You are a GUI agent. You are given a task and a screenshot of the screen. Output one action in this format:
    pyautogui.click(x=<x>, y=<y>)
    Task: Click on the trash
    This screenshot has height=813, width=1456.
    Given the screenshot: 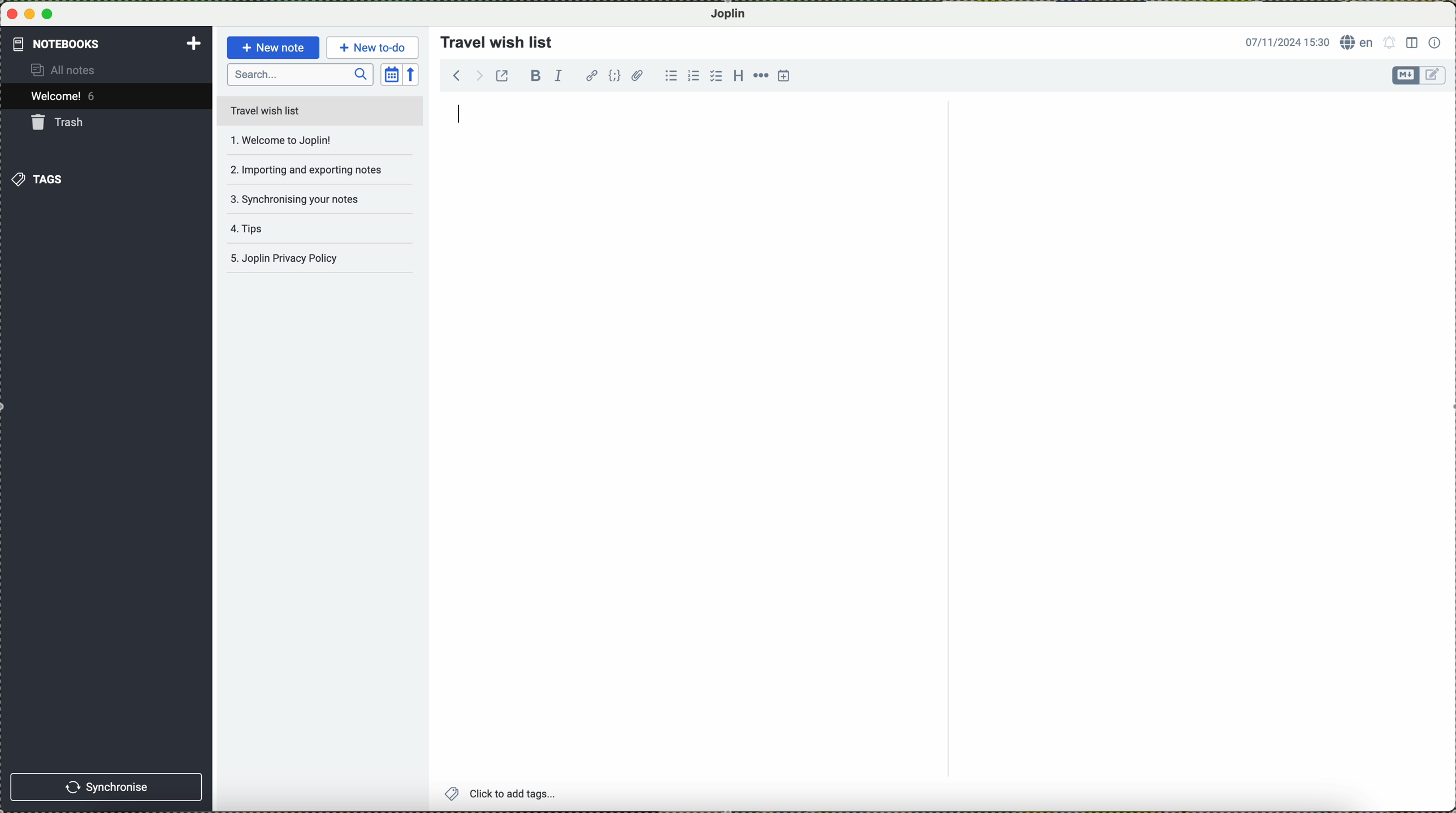 What is the action you would take?
    pyautogui.click(x=60, y=122)
    